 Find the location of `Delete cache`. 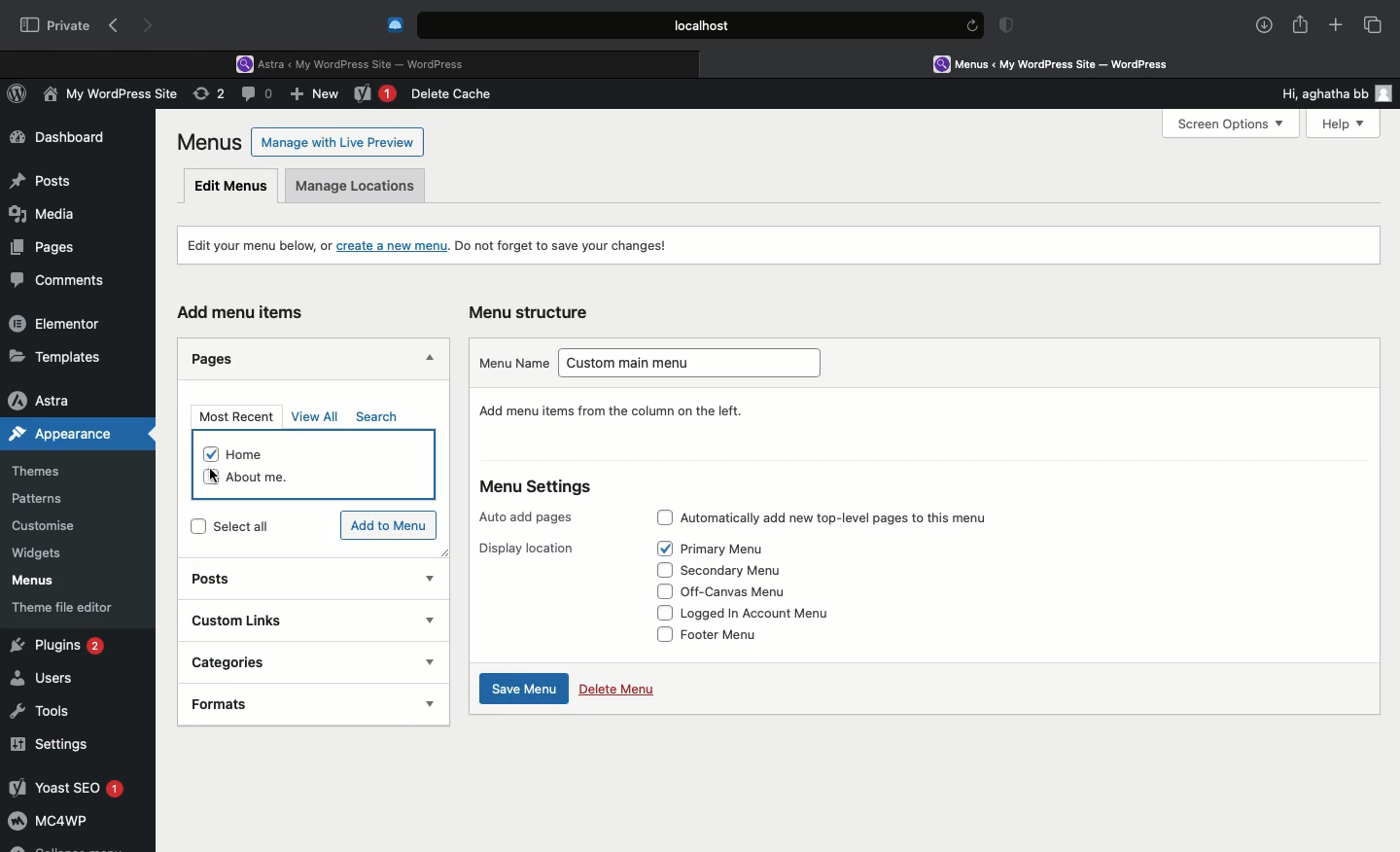

Delete cache is located at coordinates (455, 94).